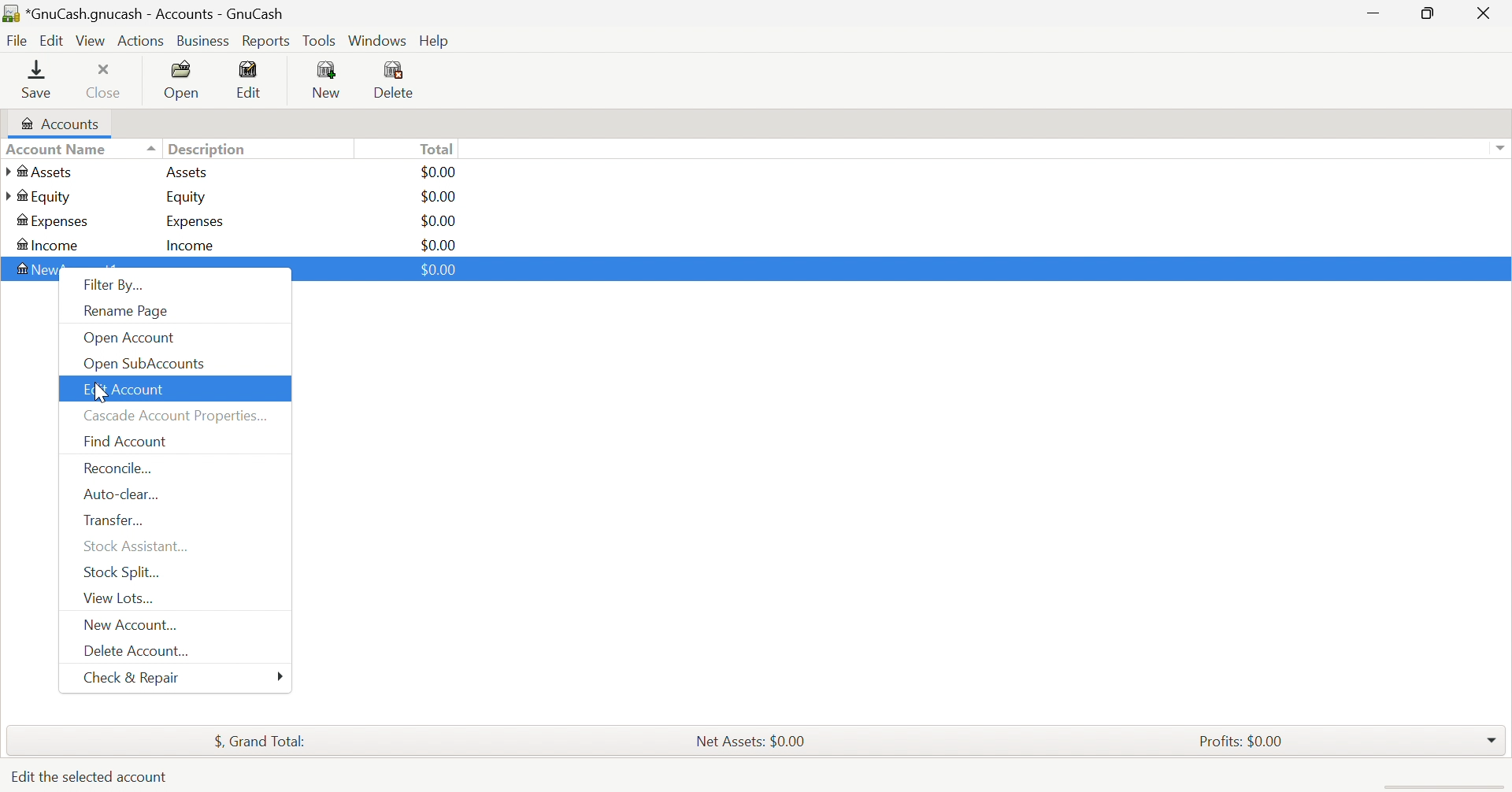 The image size is (1512, 792). Describe the element at coordinates (328, 80) in the screenshot. I see `New` at that location.